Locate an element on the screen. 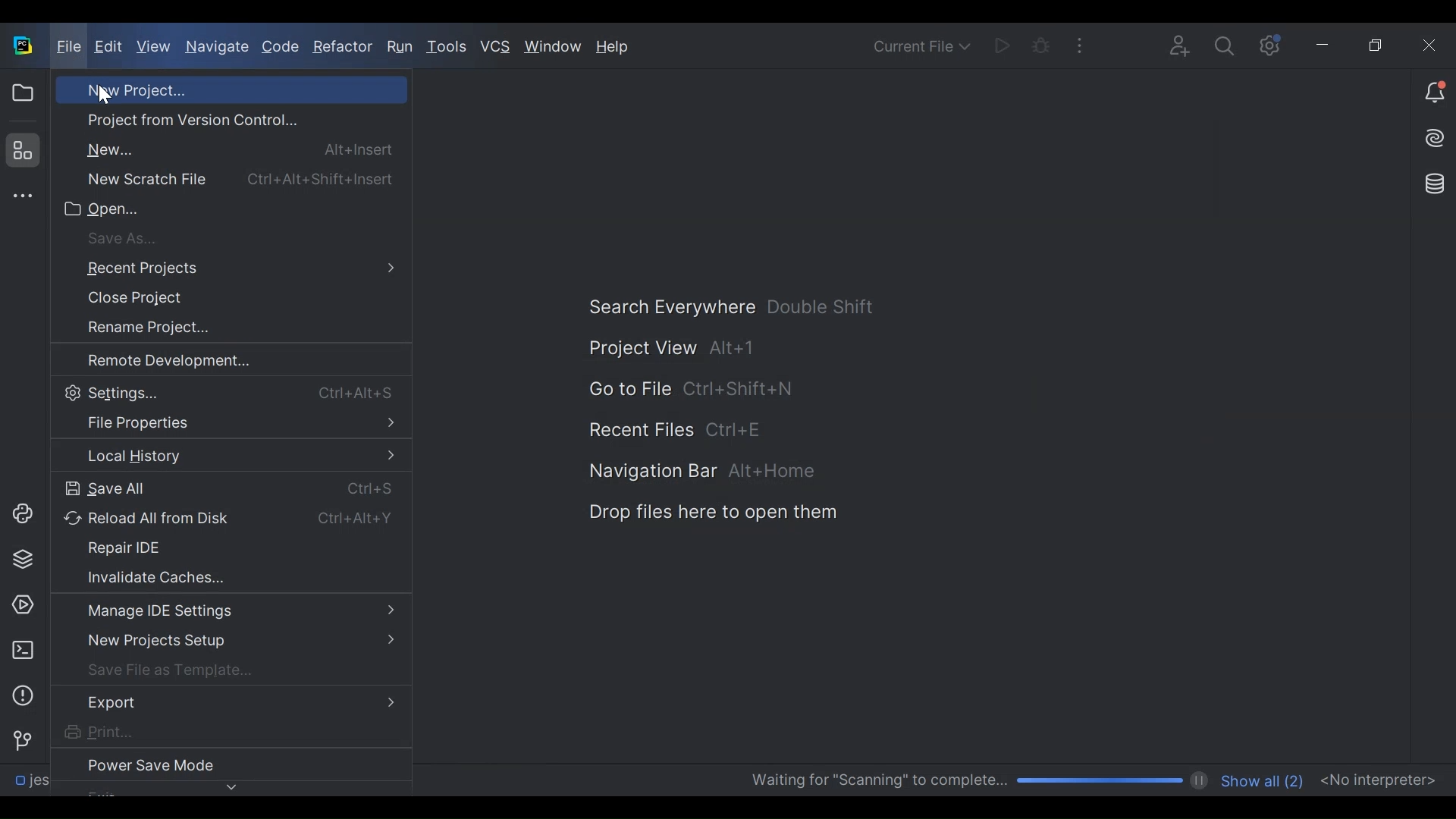 The height and width of the screenshot is (819, 1456). Drop Files here is located at coordinates (679, 514).